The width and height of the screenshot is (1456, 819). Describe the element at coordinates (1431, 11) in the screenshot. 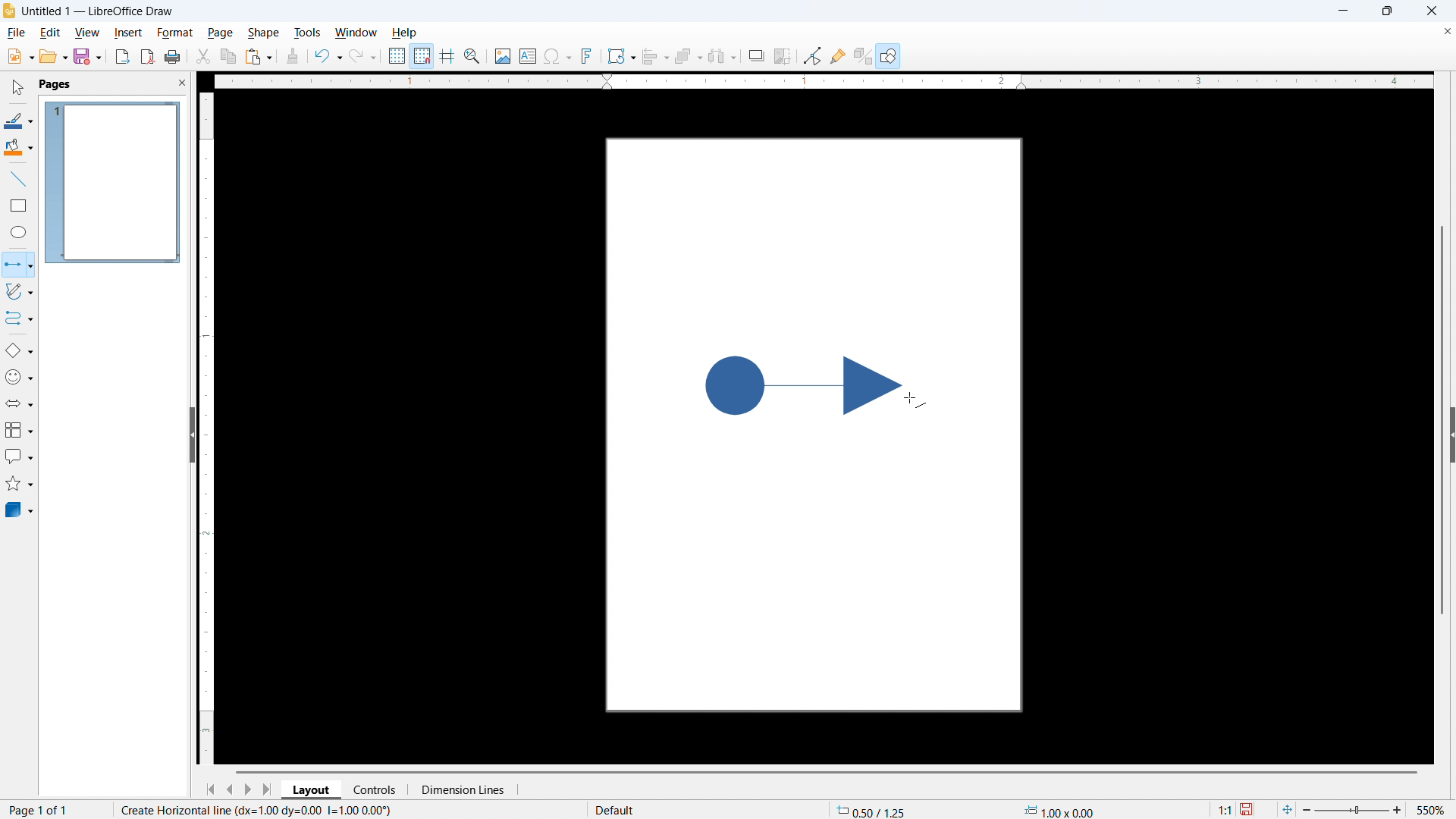

I see `close ` at that location.